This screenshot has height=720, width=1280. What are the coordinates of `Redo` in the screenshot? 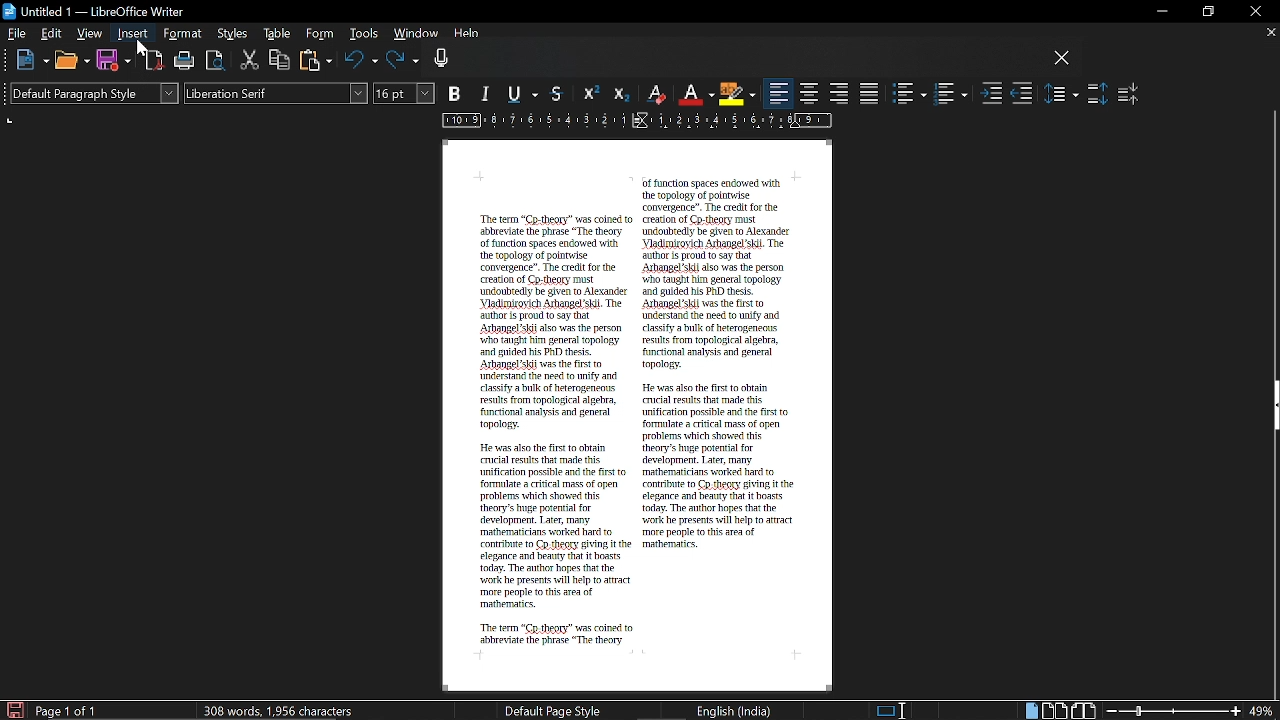 It's located at (403, 61).